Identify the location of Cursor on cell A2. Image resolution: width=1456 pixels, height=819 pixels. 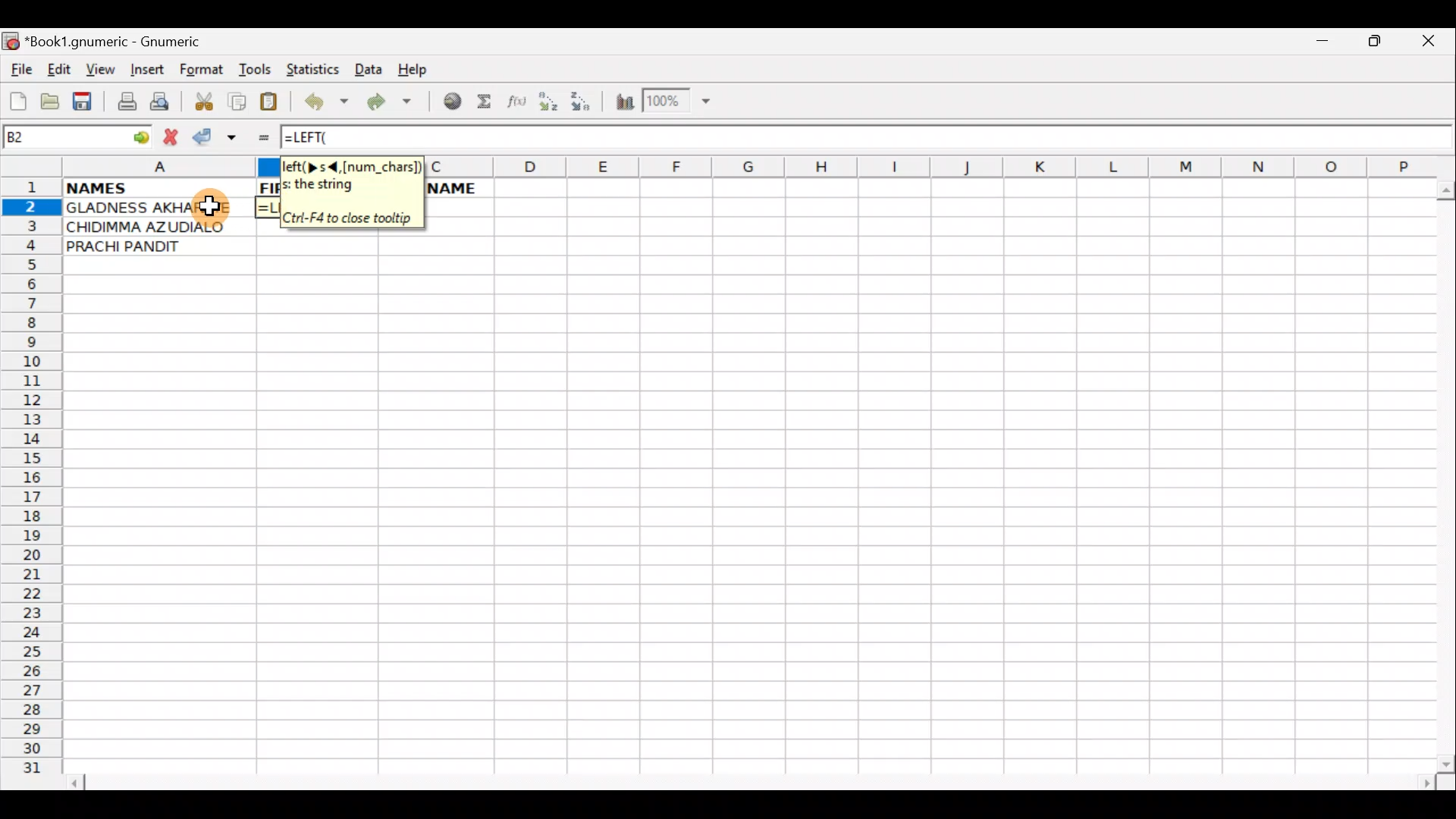
(211, 205).